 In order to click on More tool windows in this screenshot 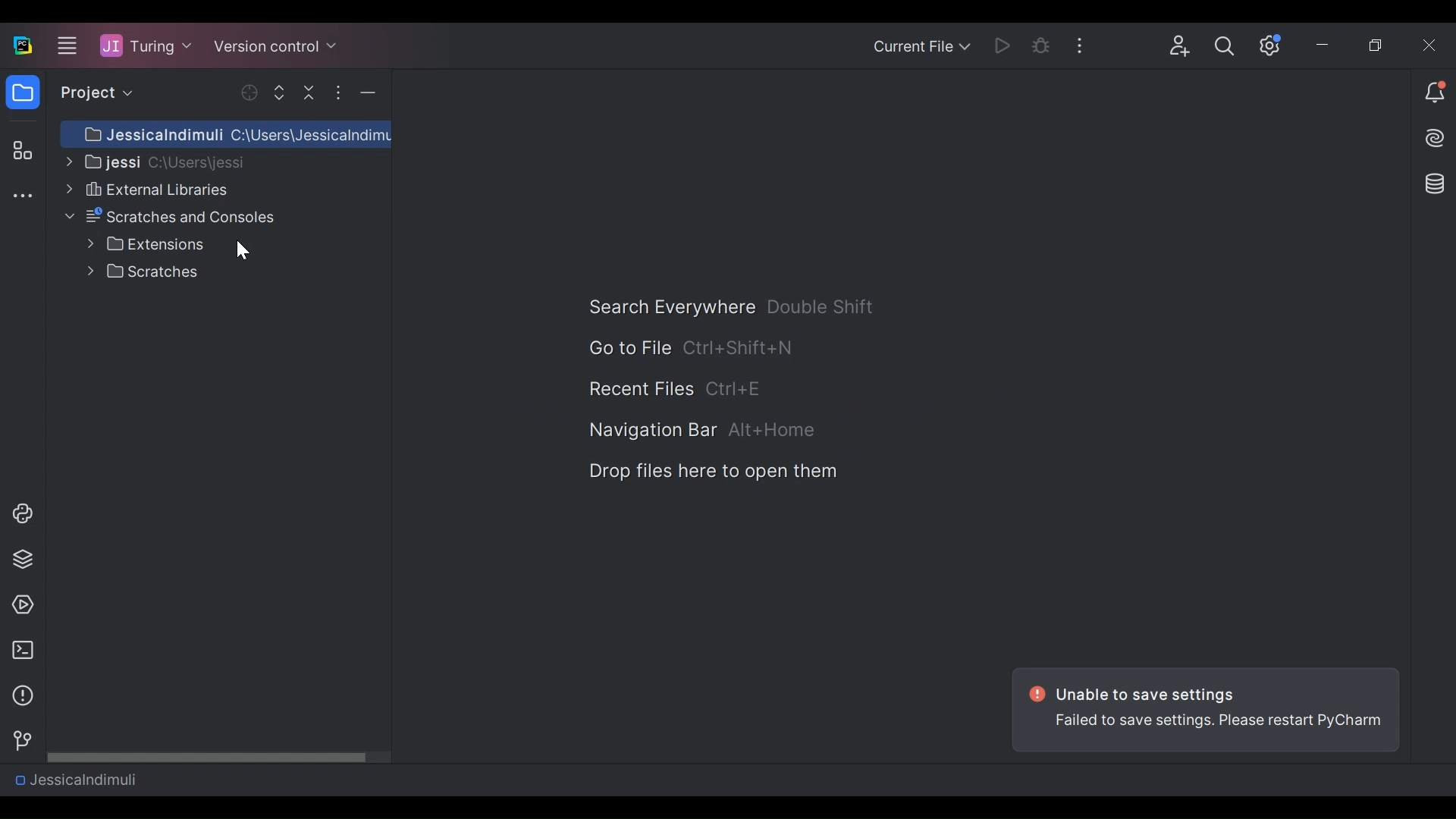, I will do `click(22, 197)`.